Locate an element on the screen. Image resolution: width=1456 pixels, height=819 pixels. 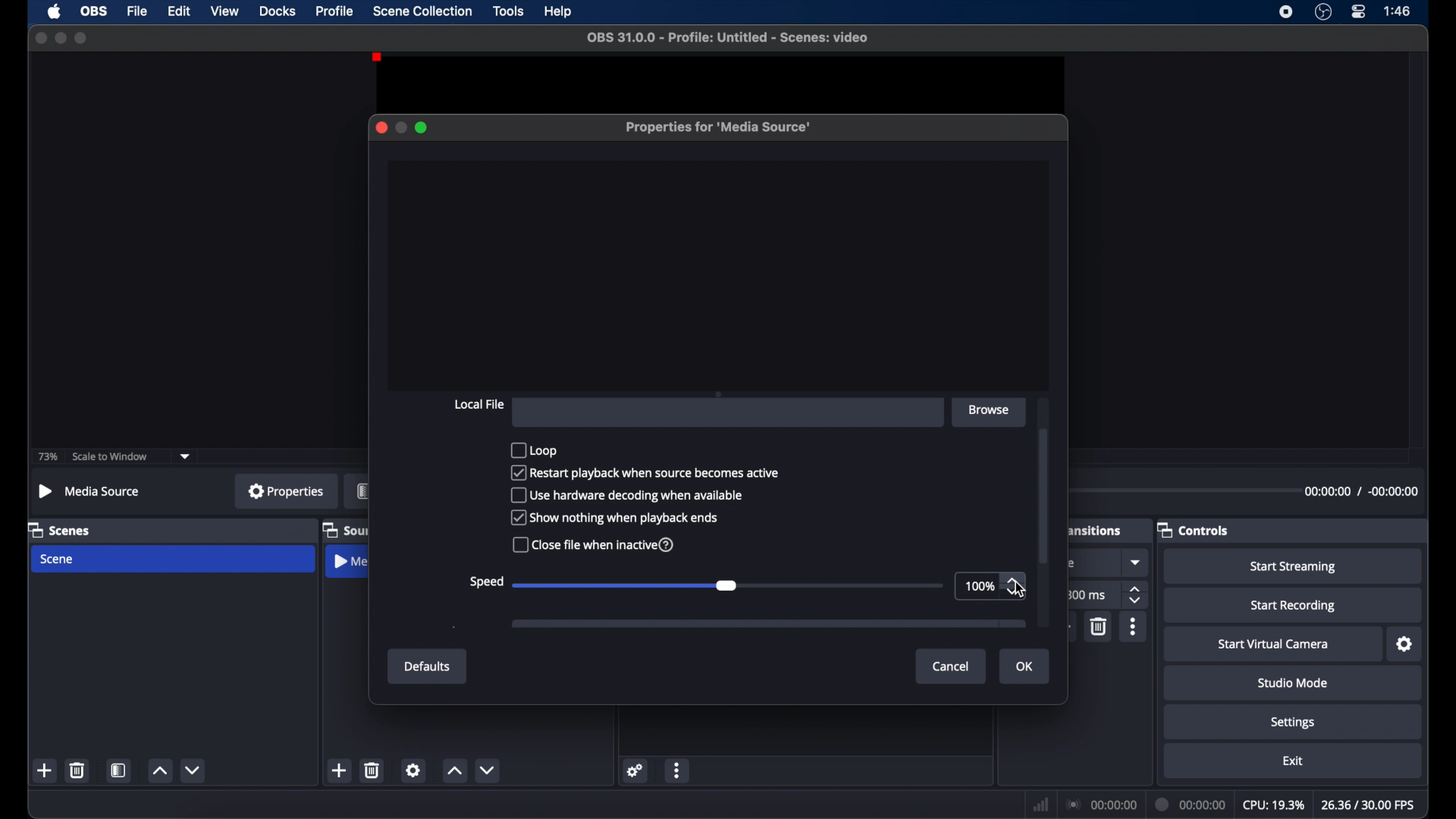
close file when inactive is located at coordinates (595, 544).